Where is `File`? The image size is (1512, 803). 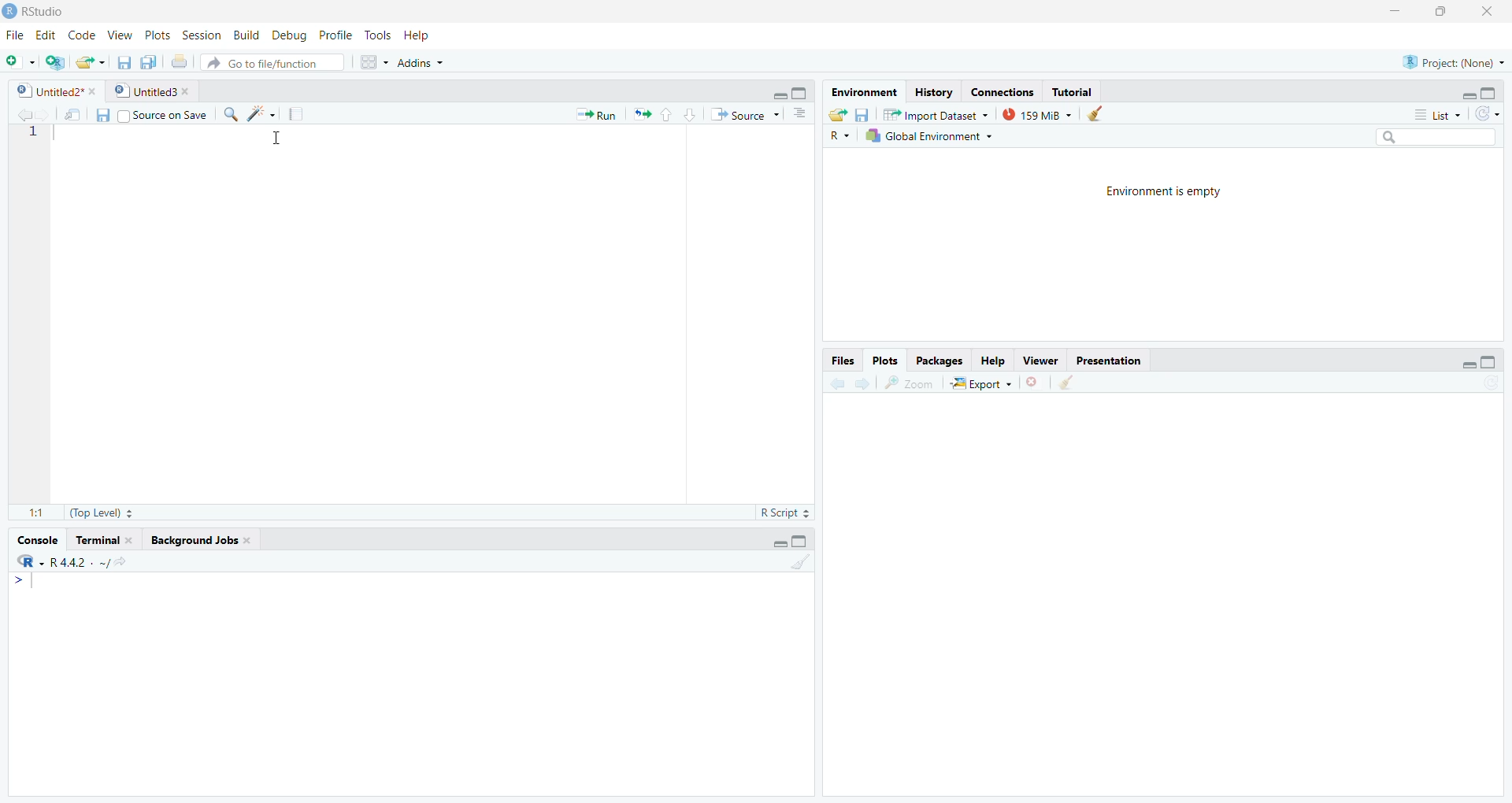
File is located at coordinates (15, 35).